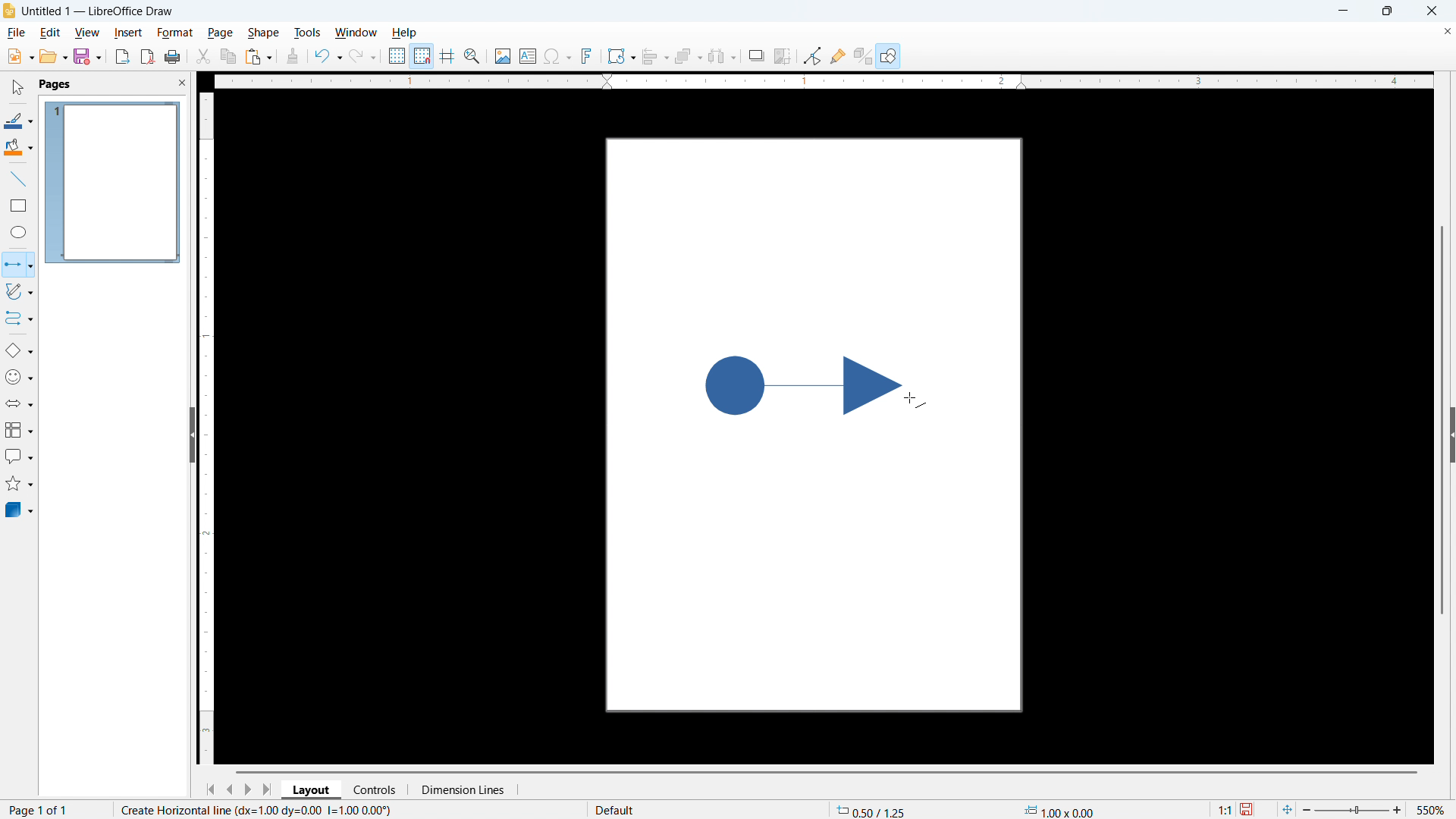 The image size is (1456, 819). I want to click on 1:1, so click(1225, 809).